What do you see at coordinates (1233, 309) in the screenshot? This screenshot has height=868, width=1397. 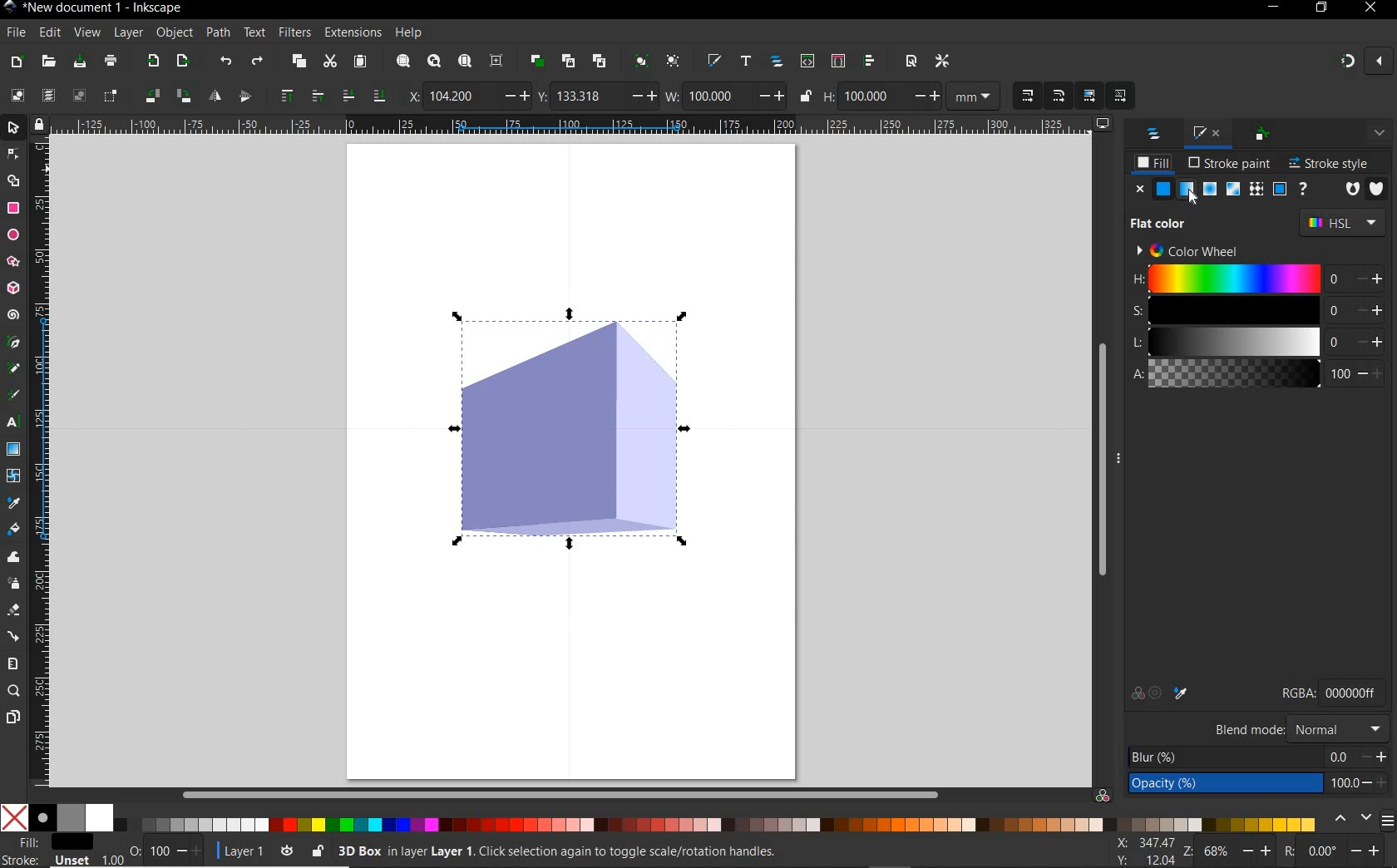 I see `S` at bounding box center [1233, 309].